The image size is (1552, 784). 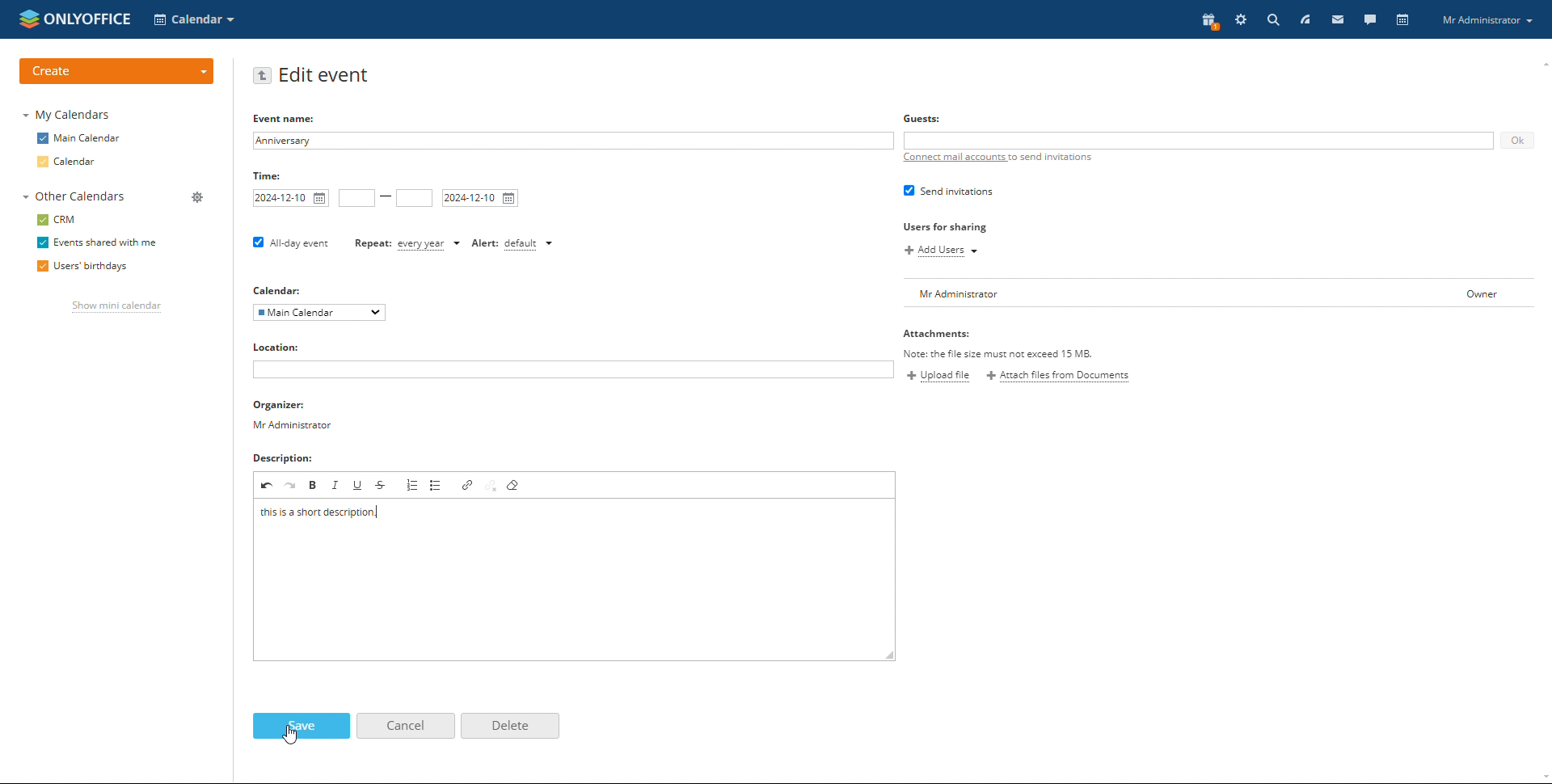 I want to click on present, so click(x=1207, y=22).